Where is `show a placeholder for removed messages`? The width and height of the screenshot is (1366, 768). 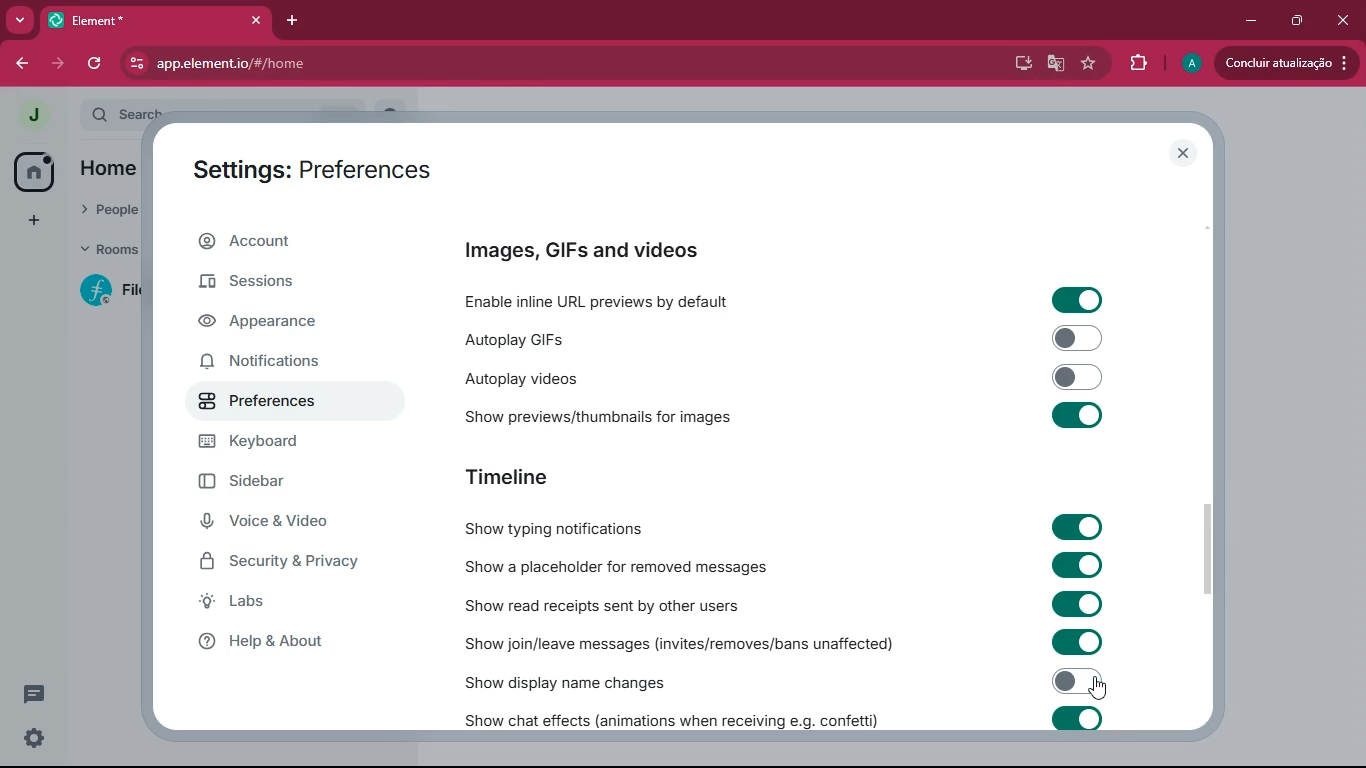
show a placeholder for removed messages is located at coordinates (628, 566).